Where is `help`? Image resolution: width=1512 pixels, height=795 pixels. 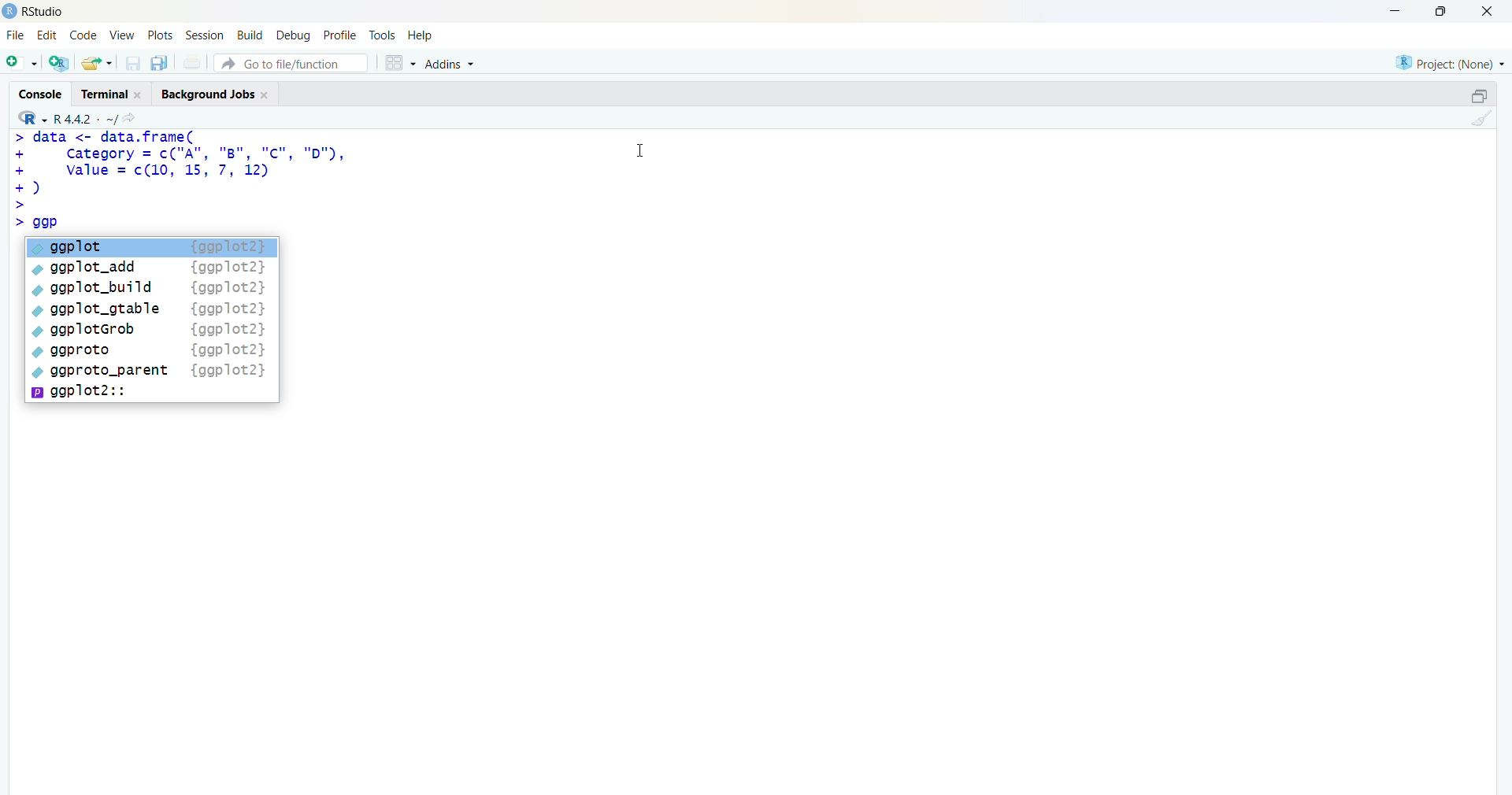
help is located at coordinates (423, 35).